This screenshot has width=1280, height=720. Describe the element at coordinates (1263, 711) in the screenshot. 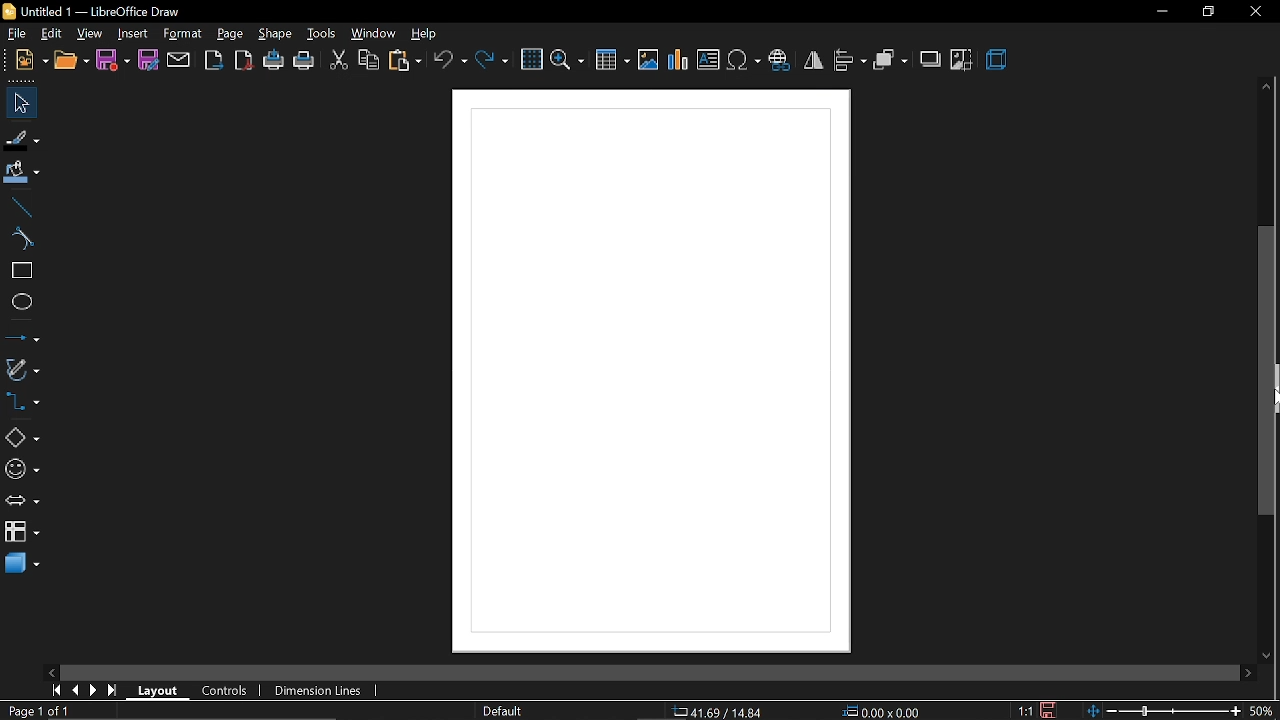

I see `current zoom` at that location.